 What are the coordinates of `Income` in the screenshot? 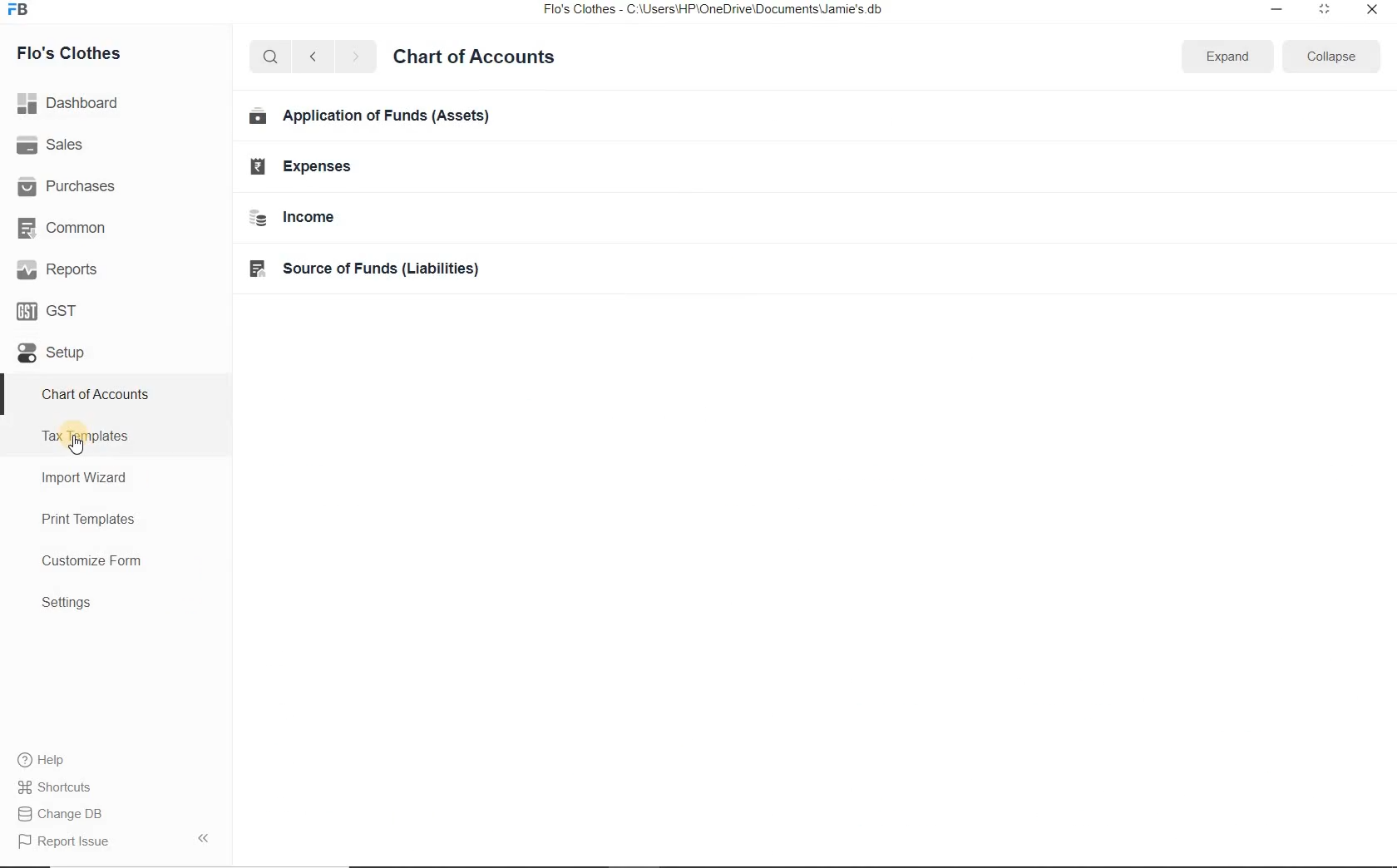 It's located at (397, 215).